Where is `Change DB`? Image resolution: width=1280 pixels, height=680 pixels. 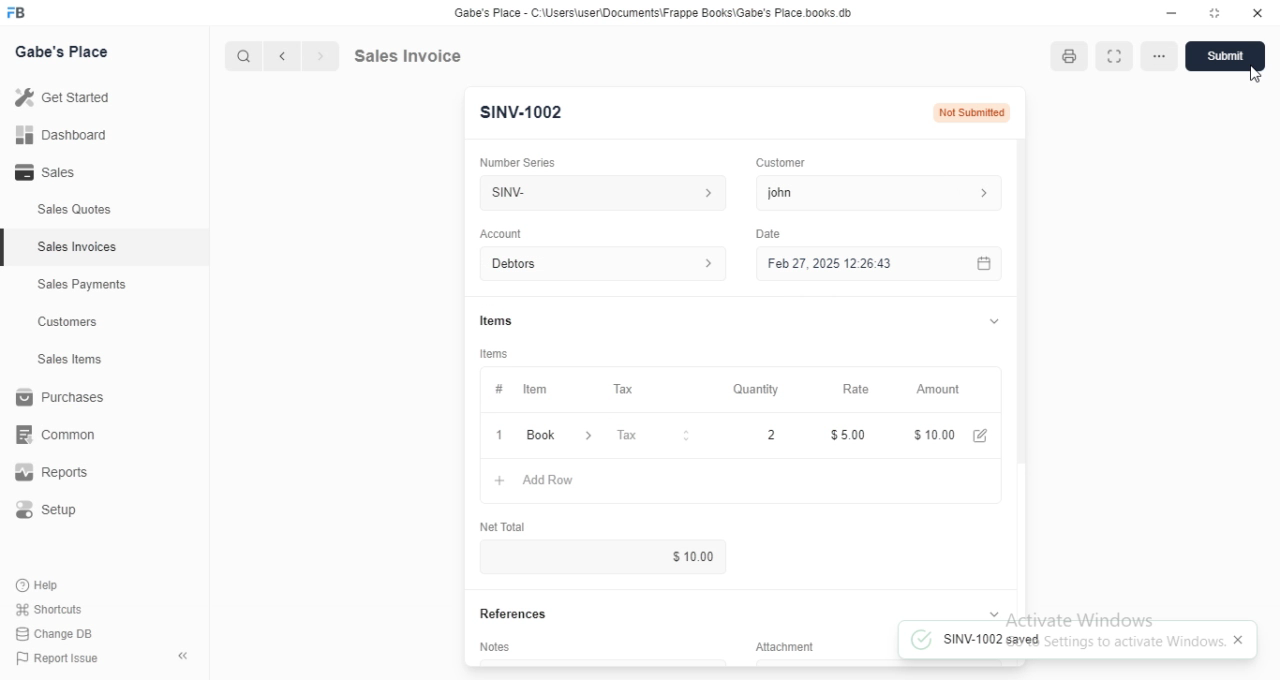
Change DB is located at coordinates (57, 634).